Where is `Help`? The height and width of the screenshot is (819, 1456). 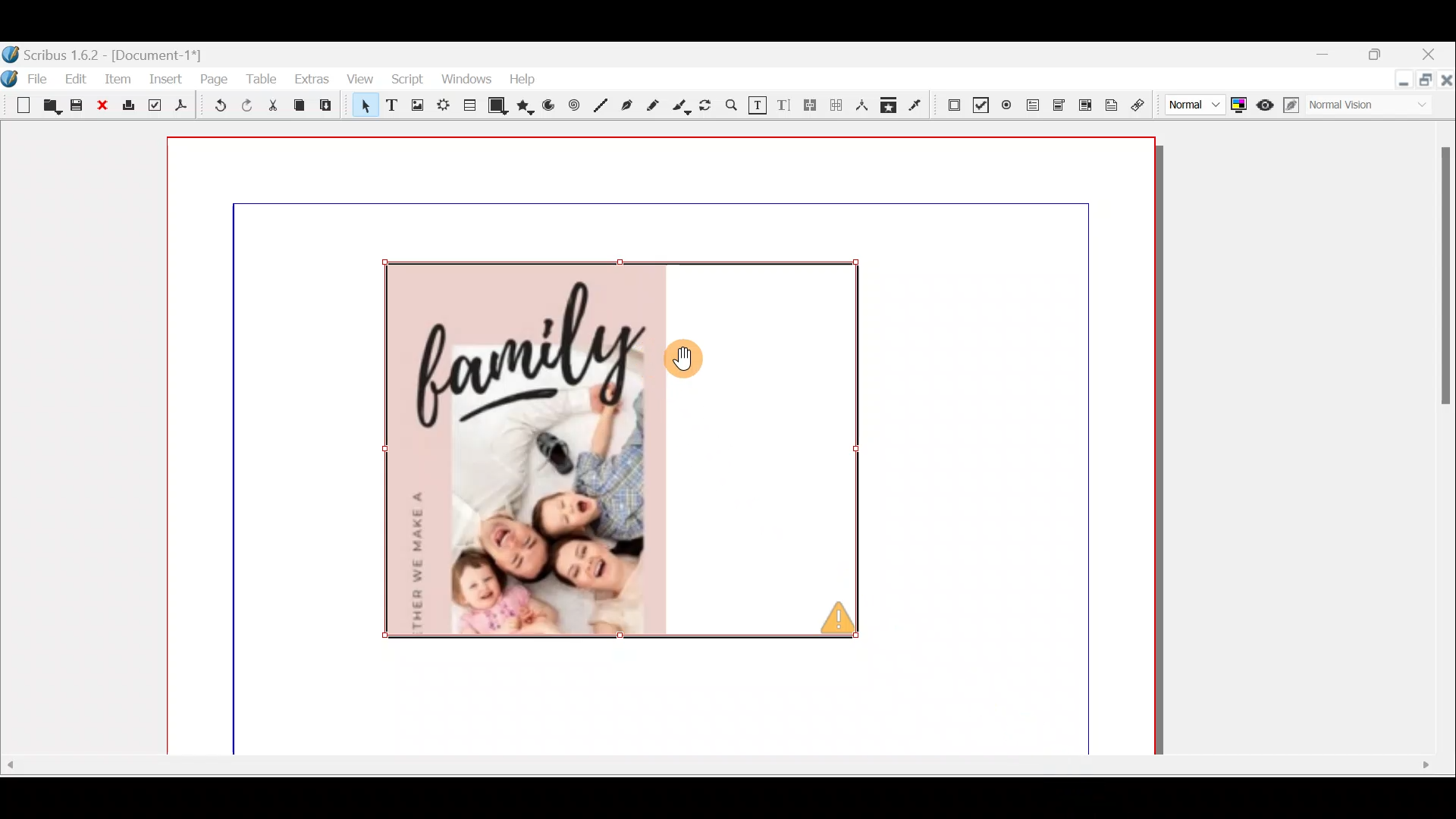
Help is located at coordinates (522, 77).